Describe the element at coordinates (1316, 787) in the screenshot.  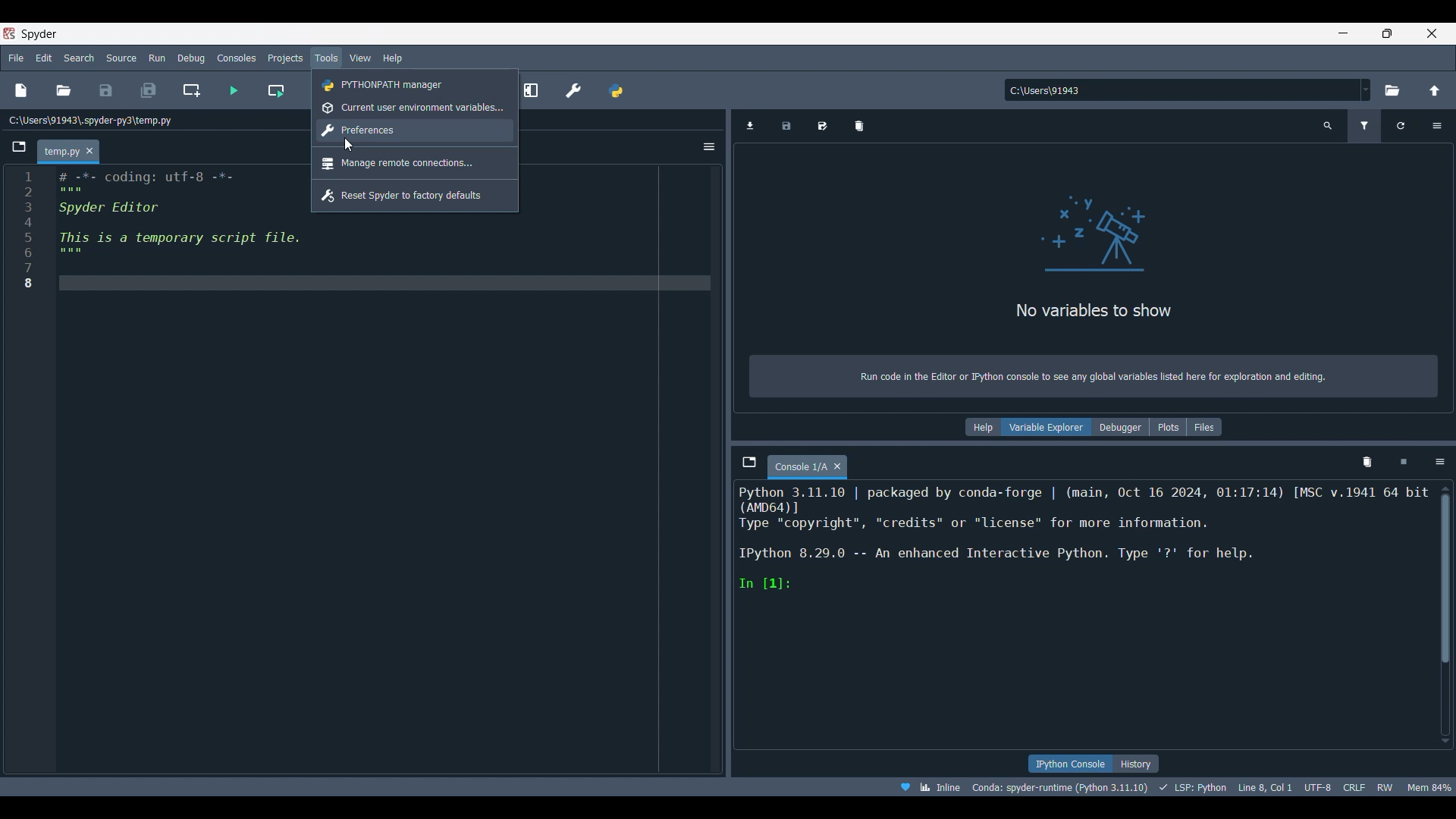
I see `UTF-8` at that location.